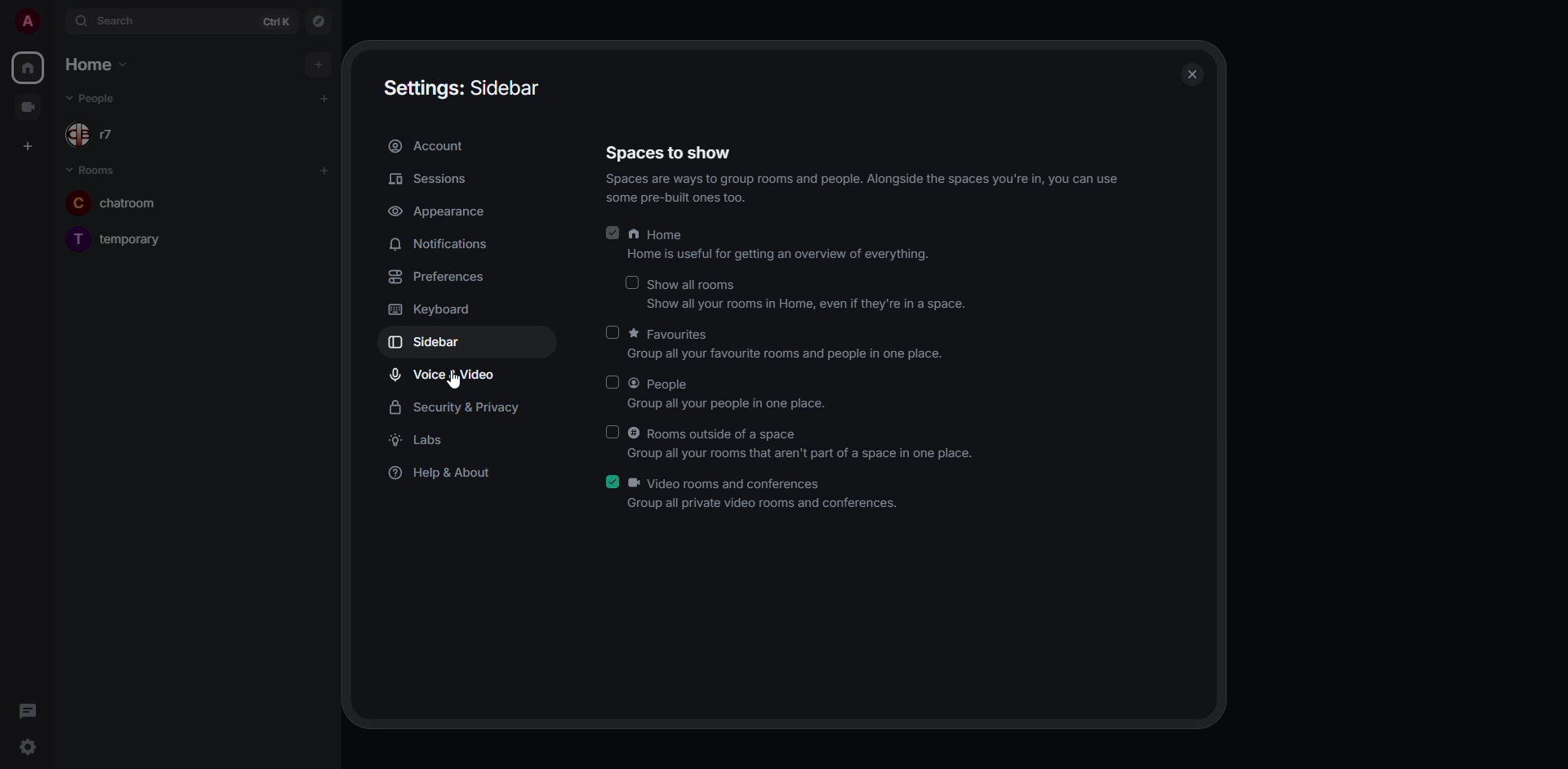  Describe the element at coordinates (634, 283) in the screenshot. I see `click to enable` at that location.